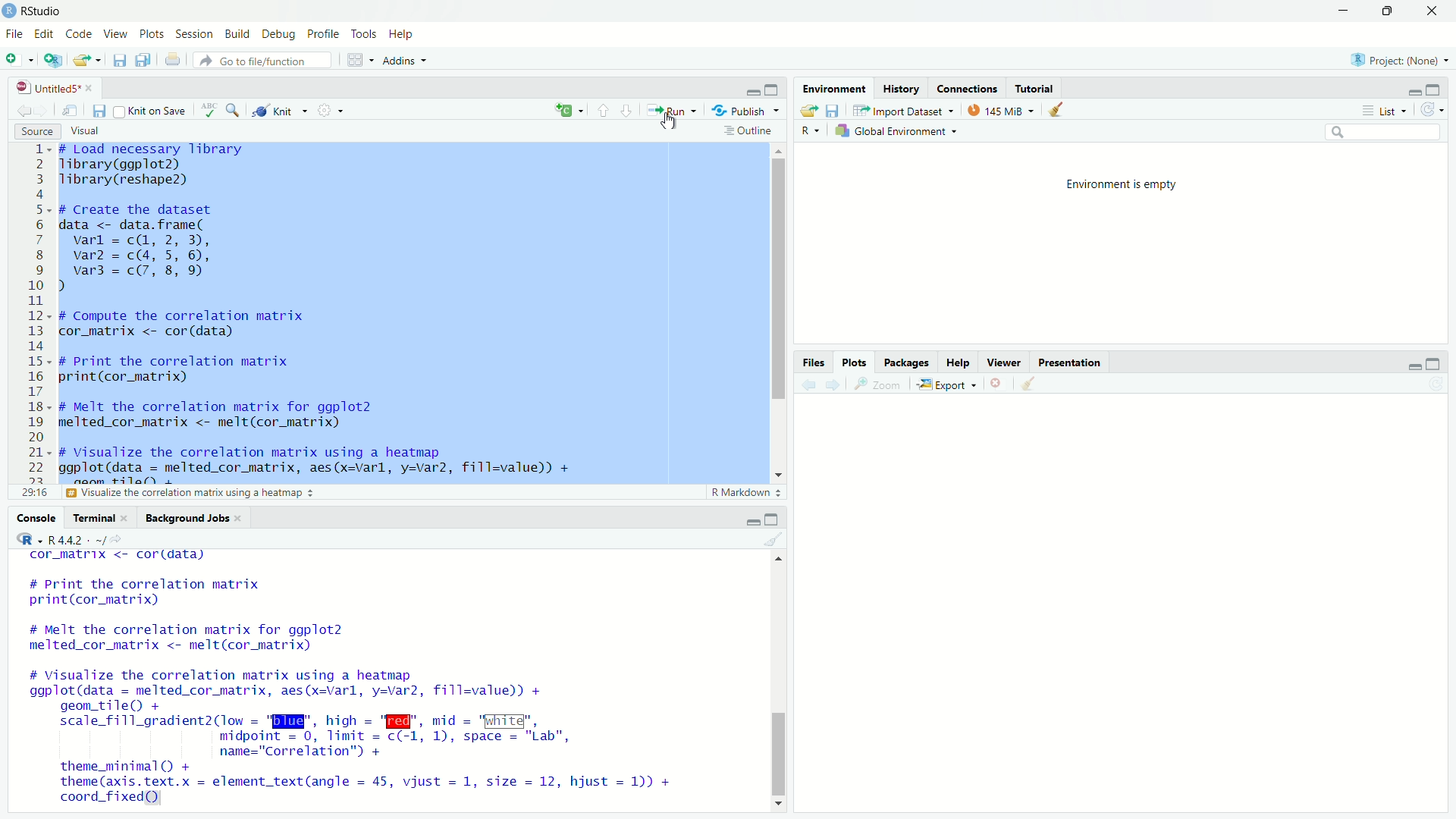 The width and height of the screenshot is (1456, 819). Describe the element at coordinates (43, 11) in the screenshot. I see `RStudio` at that location.